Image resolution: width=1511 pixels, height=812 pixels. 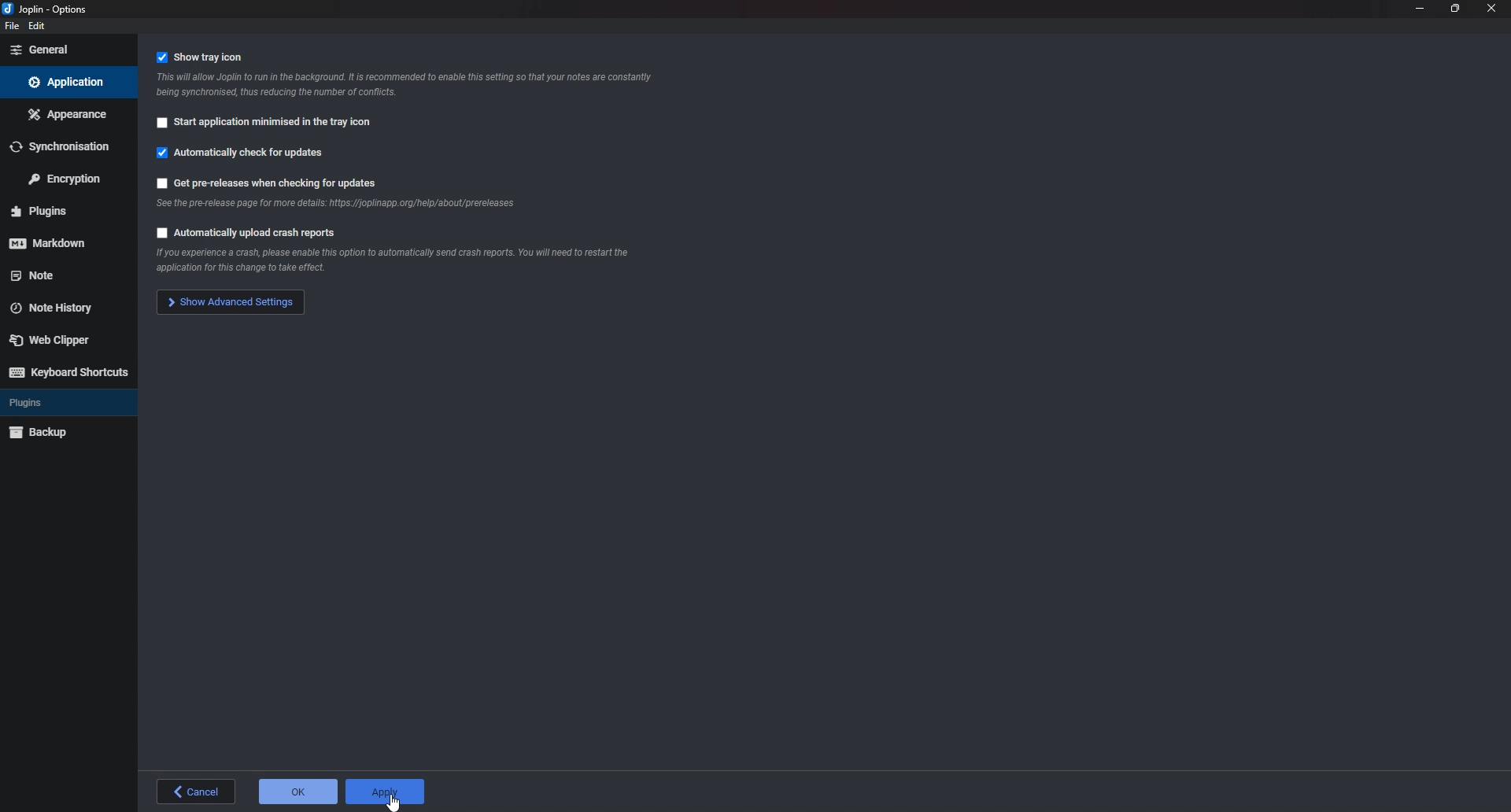 What do you see at coordinates (64, 178) in the screenshot?
I see `Encryption` at bounding box center [64, 178].